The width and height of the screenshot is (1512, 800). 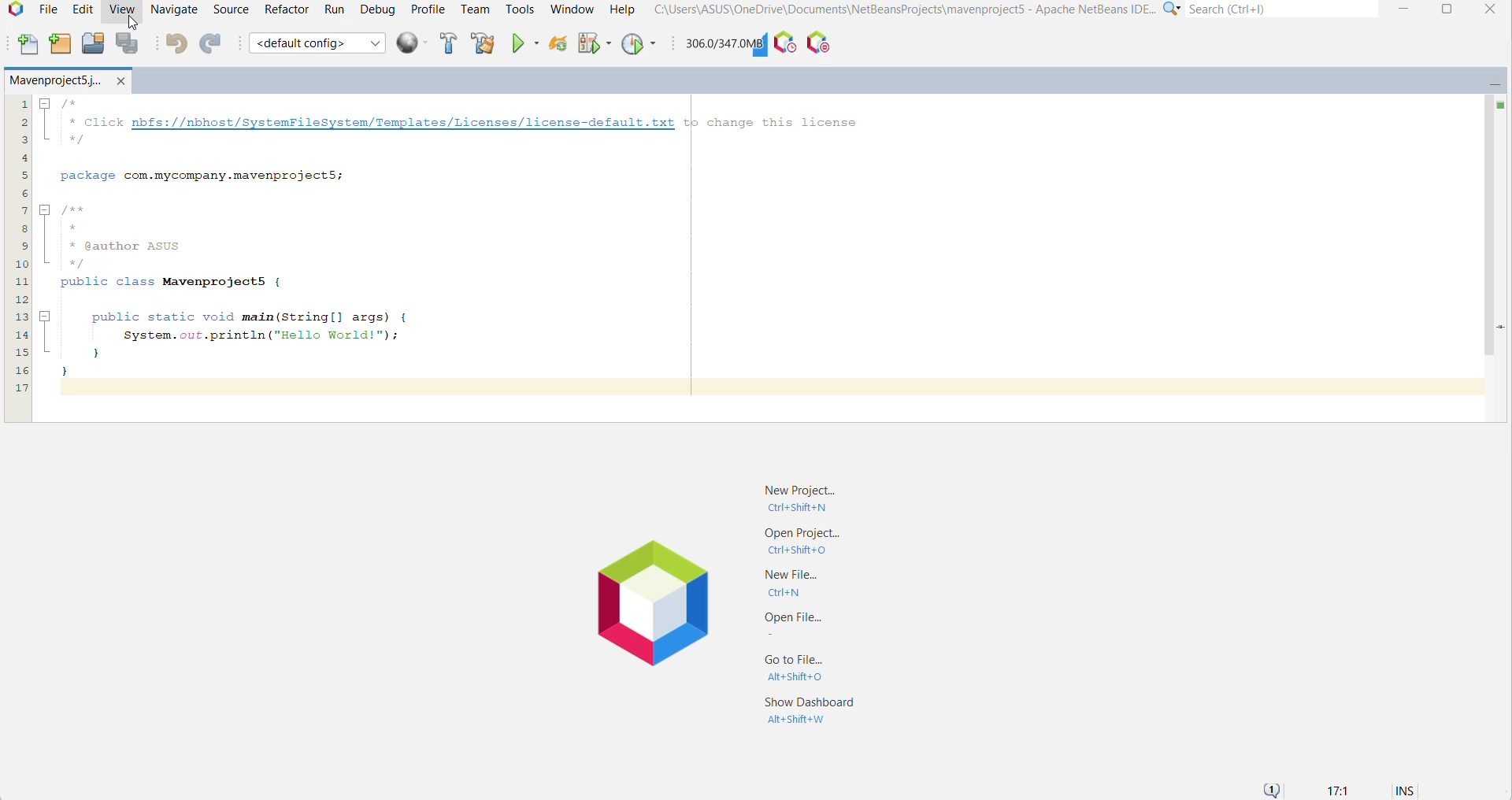 What do you see at coordinates (93, 45) in the screenshot?
I see `Open Project` at bounding box center [93, 45].